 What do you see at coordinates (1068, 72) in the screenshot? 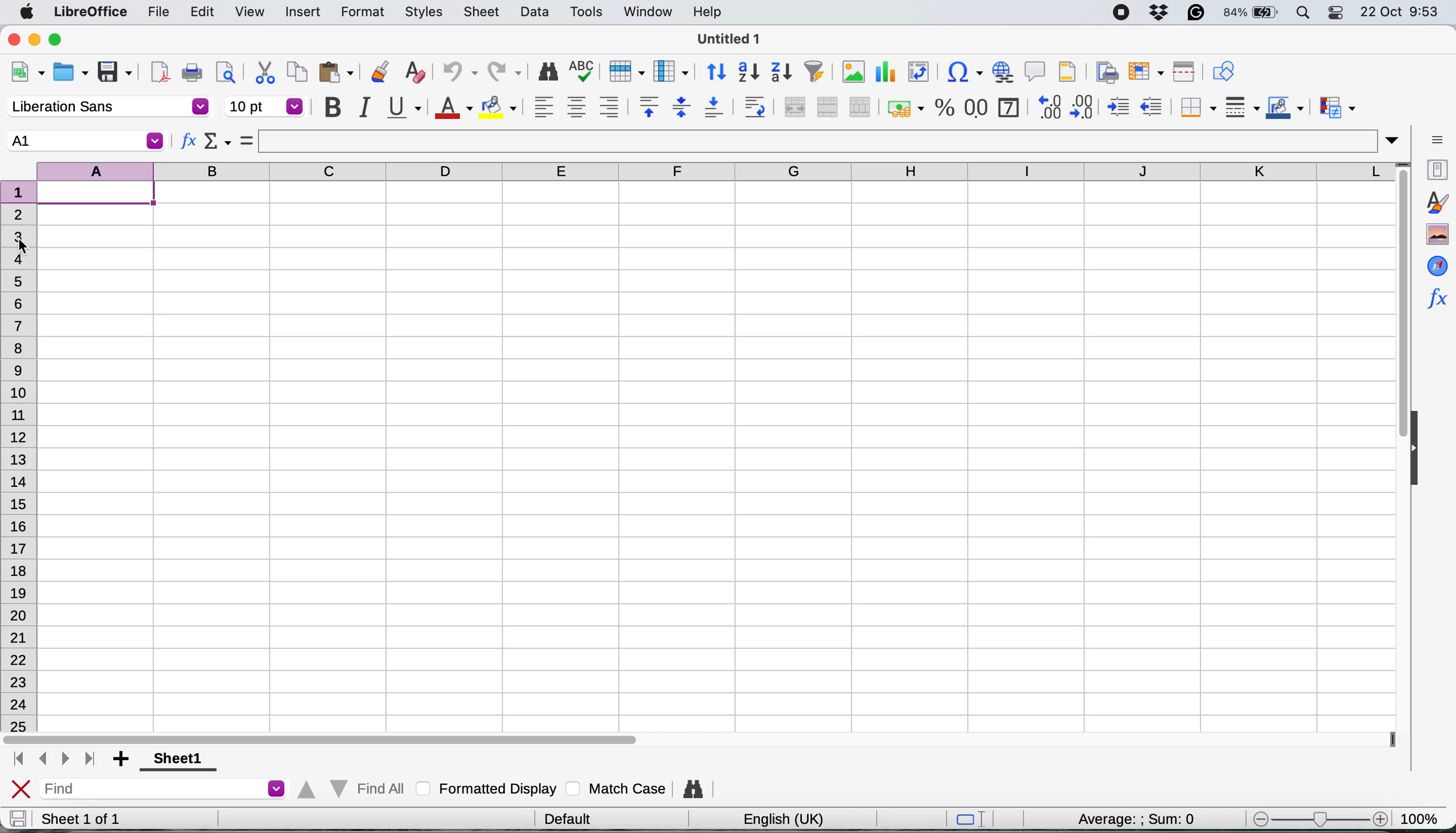
I see `headers and footers` at bounding box center [1068, 72].